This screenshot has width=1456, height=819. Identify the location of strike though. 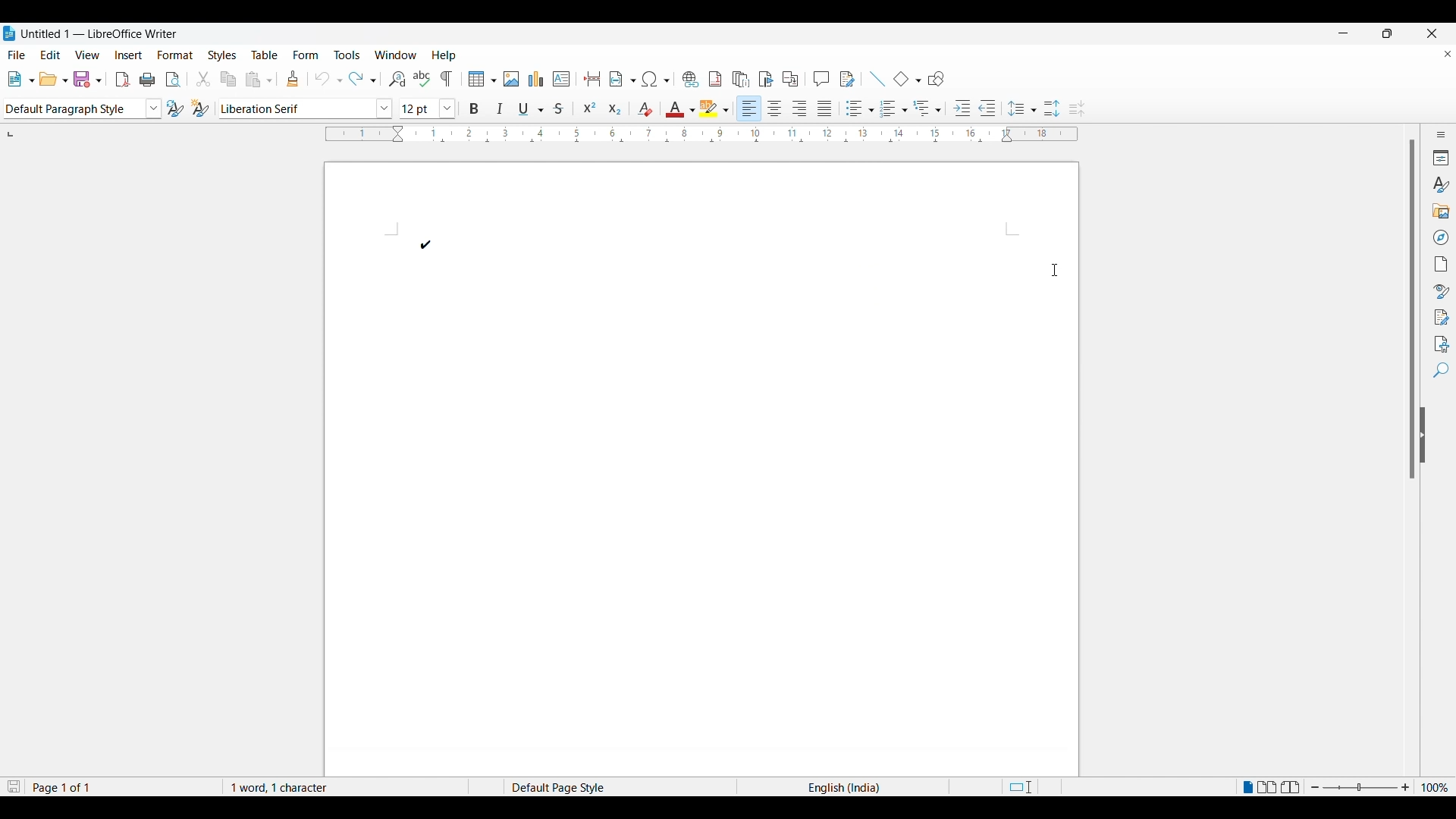
(563, 108).